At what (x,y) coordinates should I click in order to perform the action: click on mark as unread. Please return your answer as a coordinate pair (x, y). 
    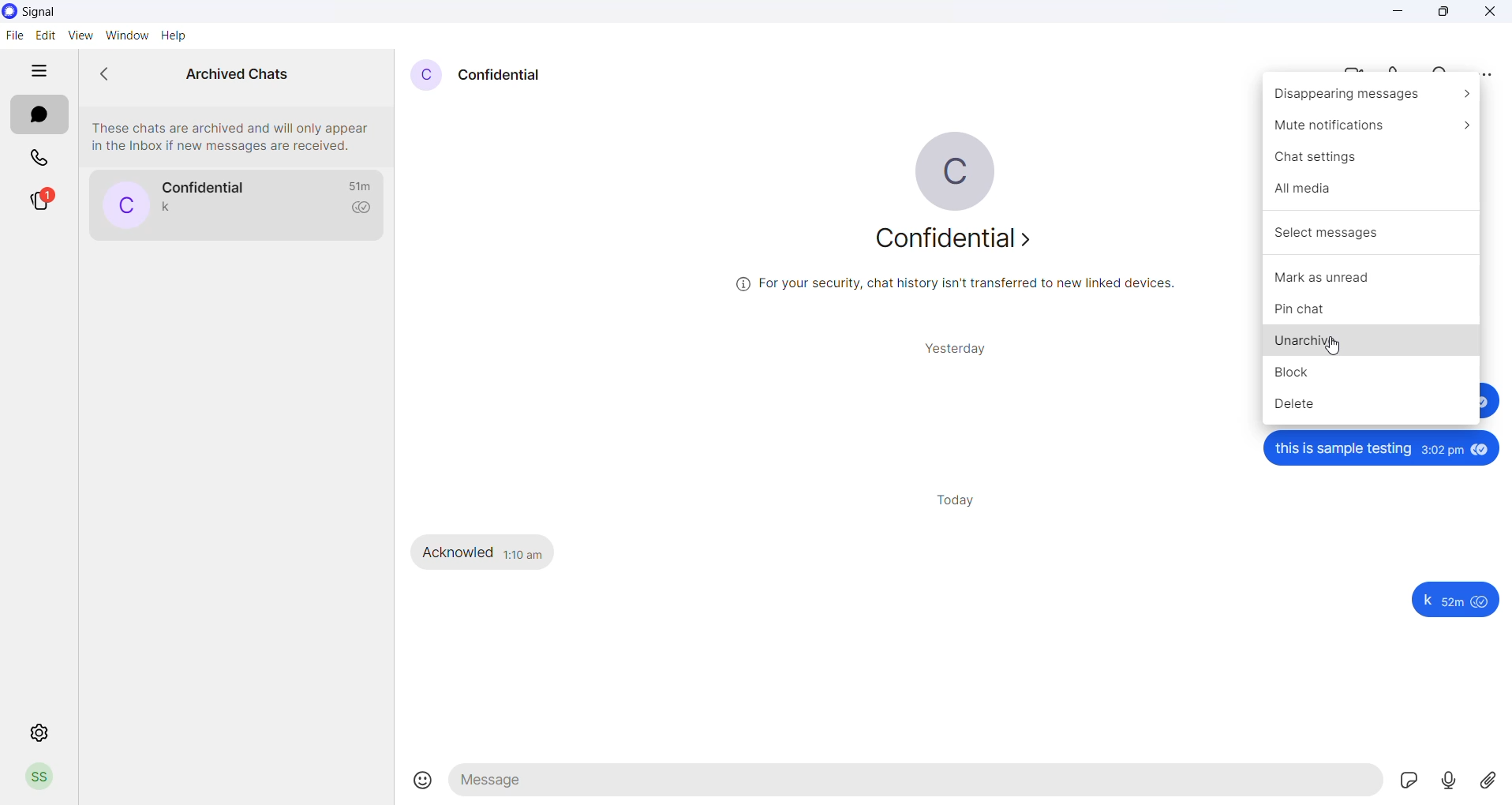
    Looking at the image, I should click on (1376, 278).